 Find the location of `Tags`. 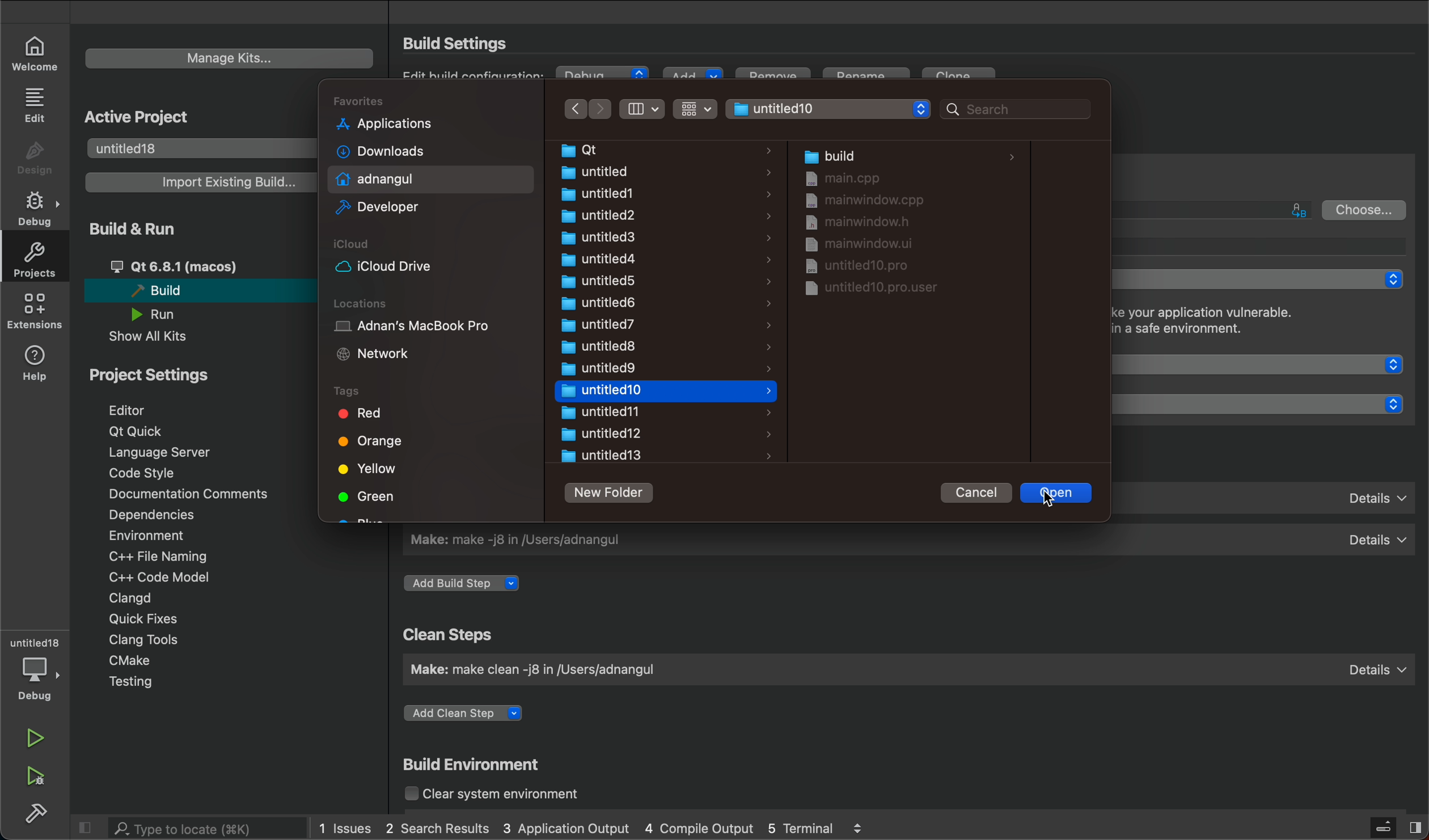

Tags is located at coordinates (346, 389).